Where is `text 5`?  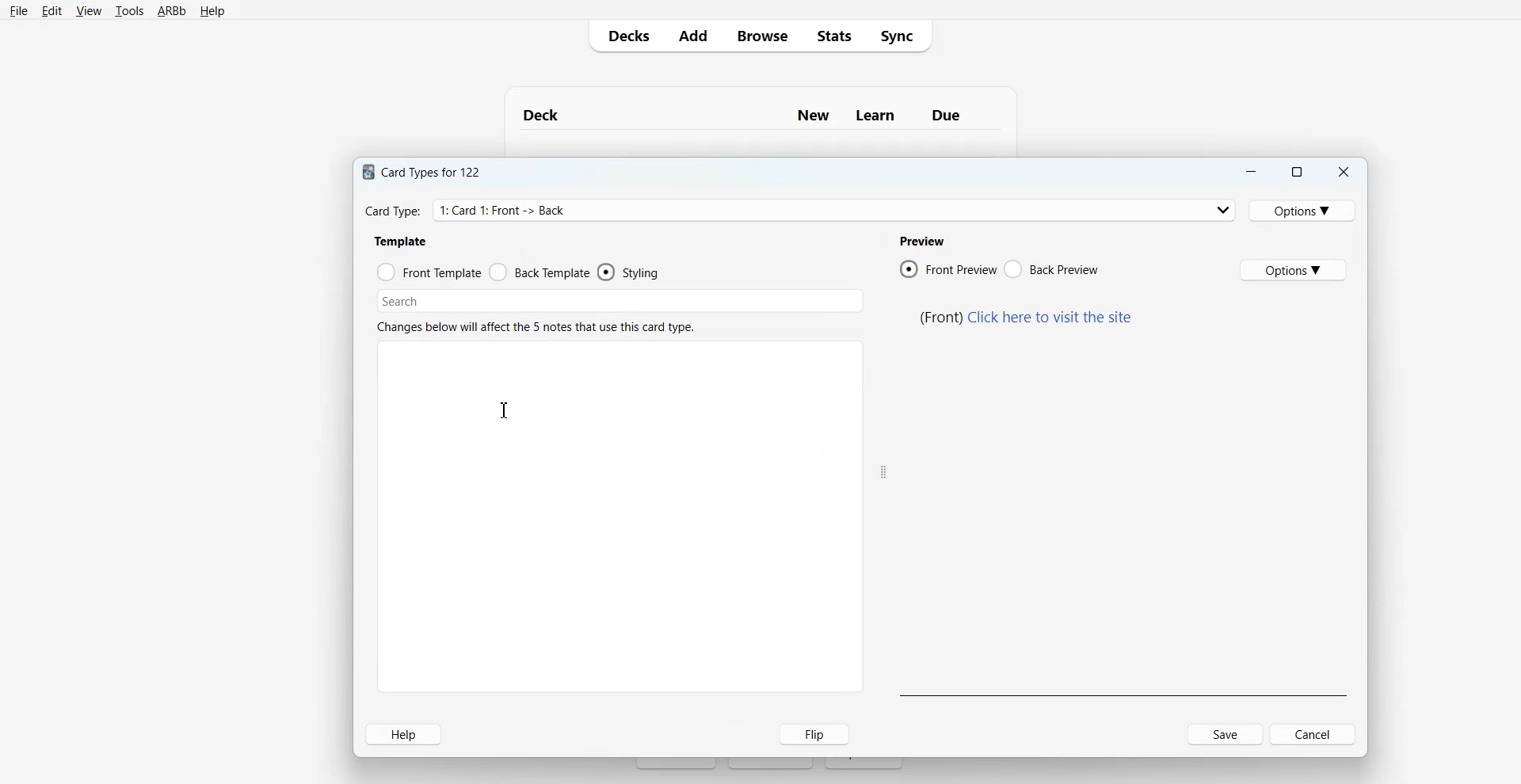 text 5 is located at coordinates (1027, 317).